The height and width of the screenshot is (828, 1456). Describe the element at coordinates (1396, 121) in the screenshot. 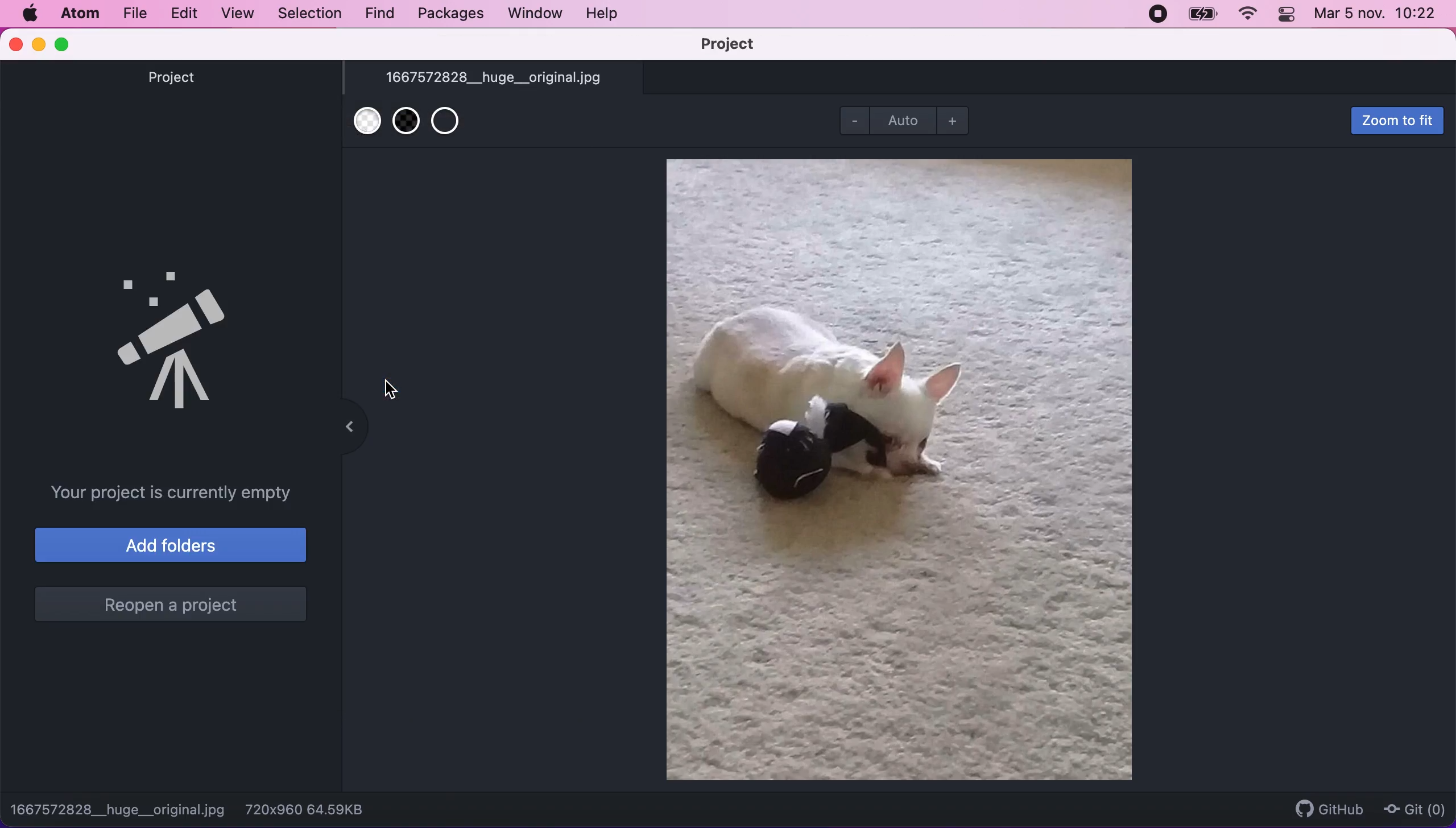

I see `zoom to fit` at that location.